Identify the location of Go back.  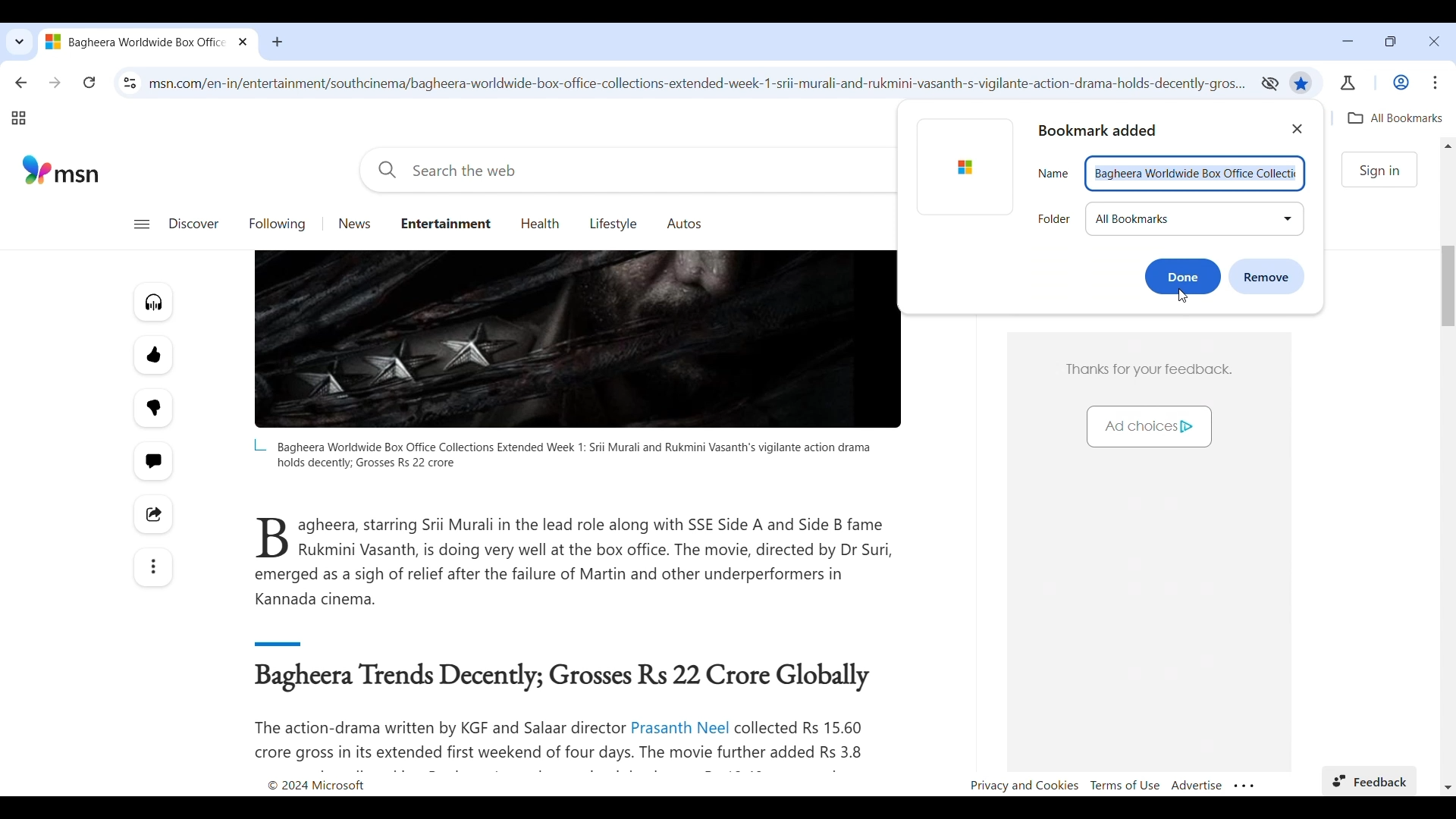
(21, 82).